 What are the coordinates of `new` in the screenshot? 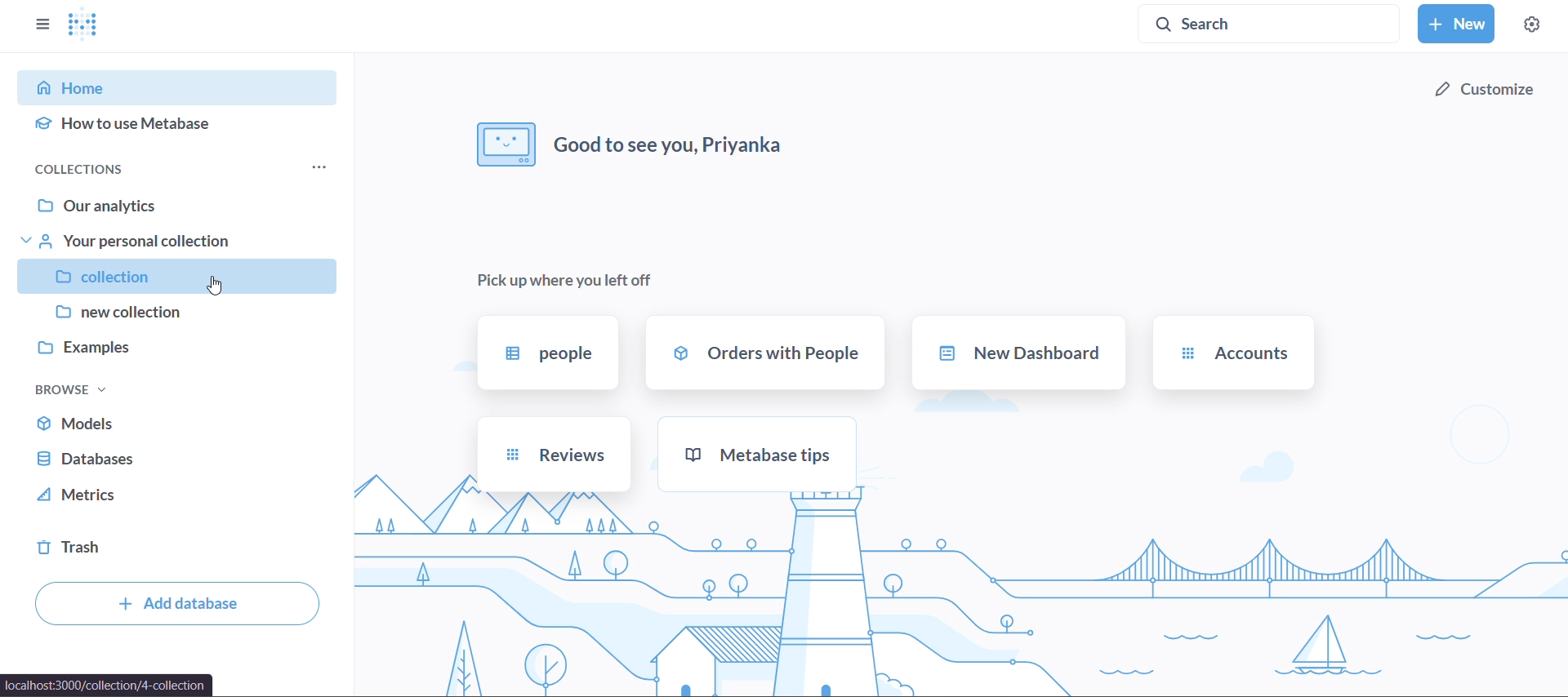 It's located at (1456, 24).